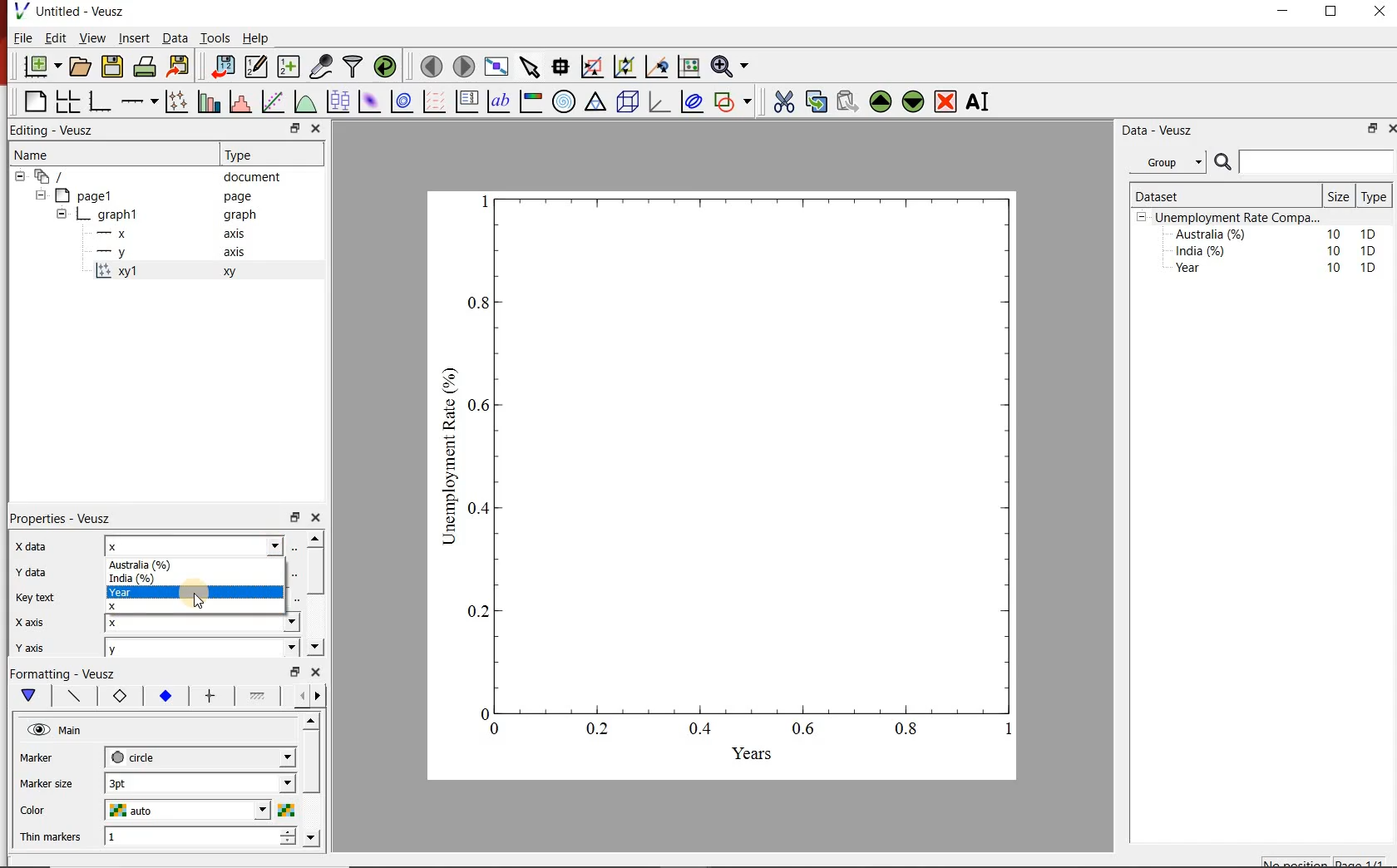 The image size is (1397, 868). I want to click on 1 pt, so click(197, 782).